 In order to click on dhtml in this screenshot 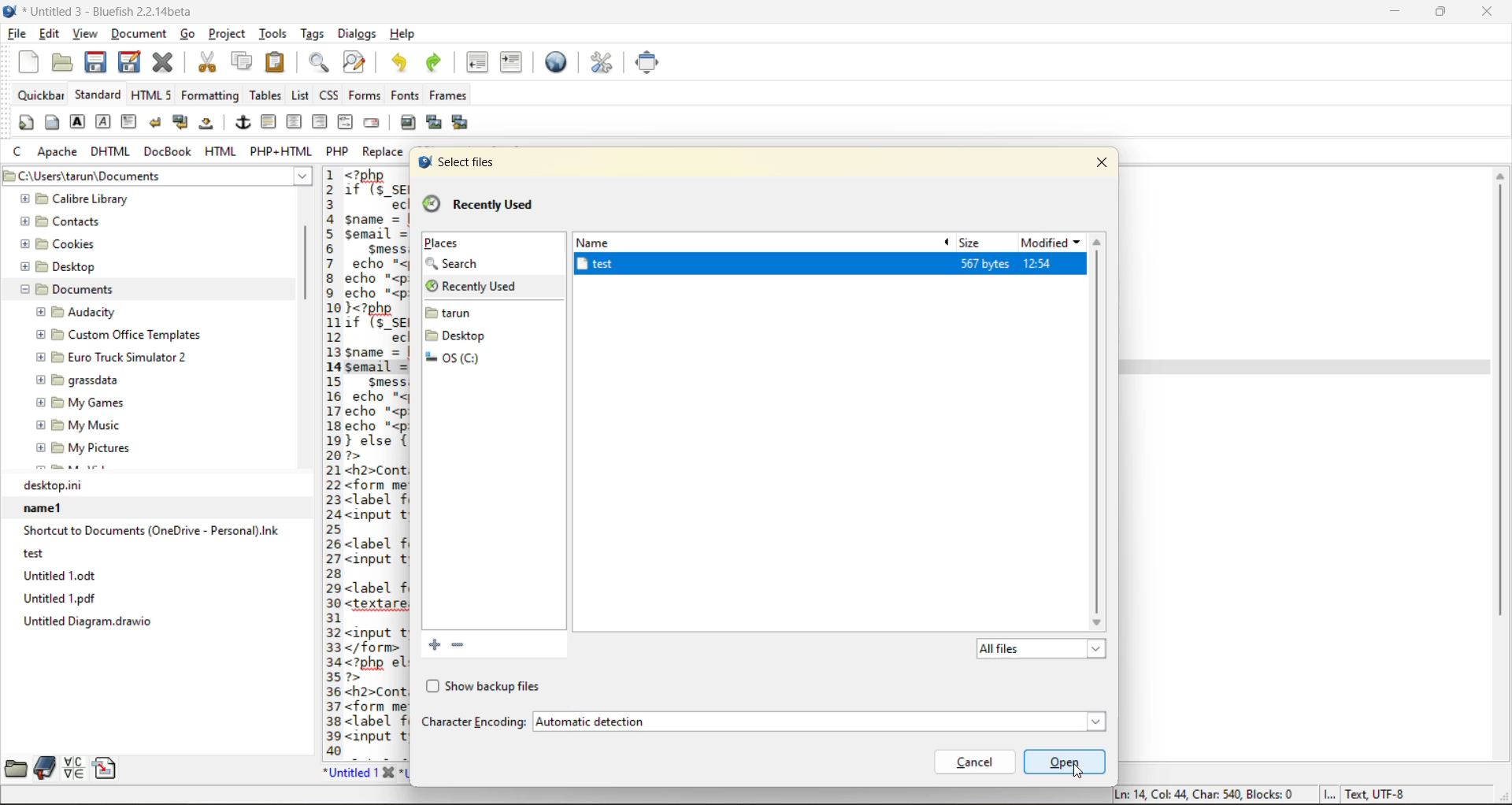, I will do `click(111, 153)`.